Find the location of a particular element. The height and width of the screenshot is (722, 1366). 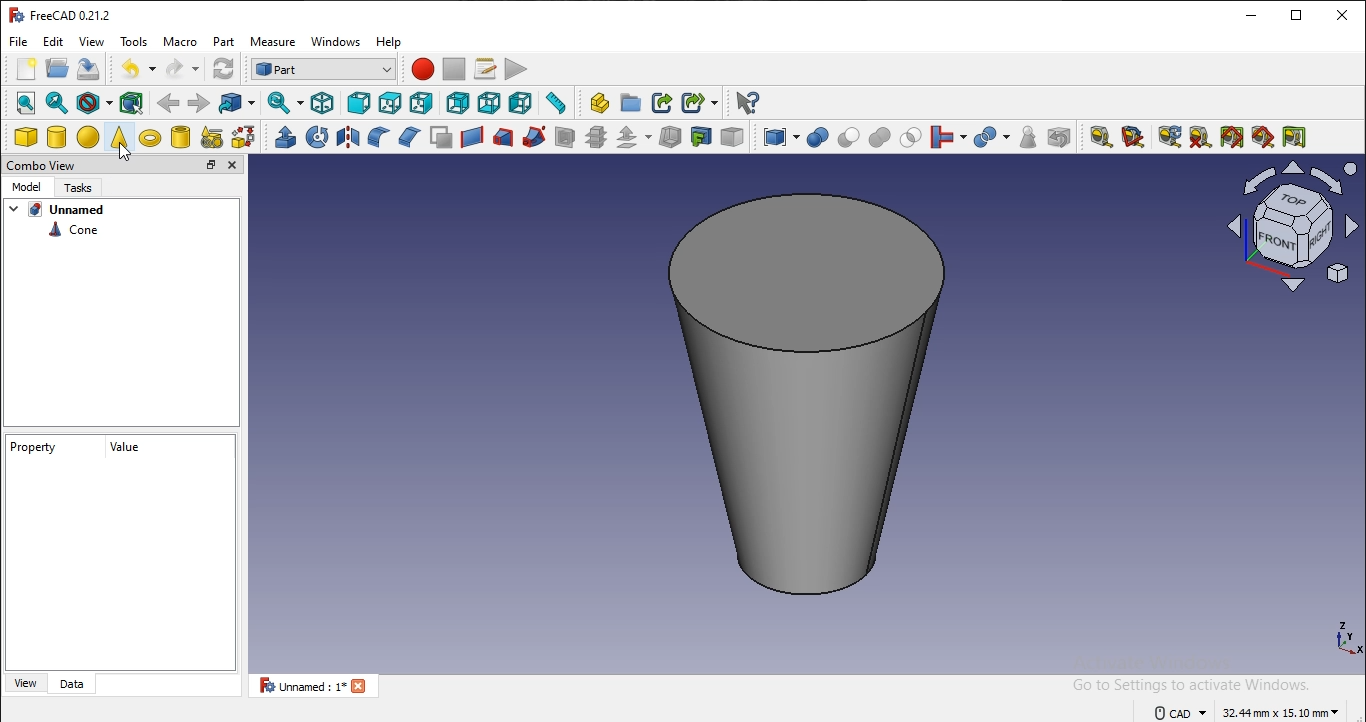

check geometry is located at coordinates (1030, 136).